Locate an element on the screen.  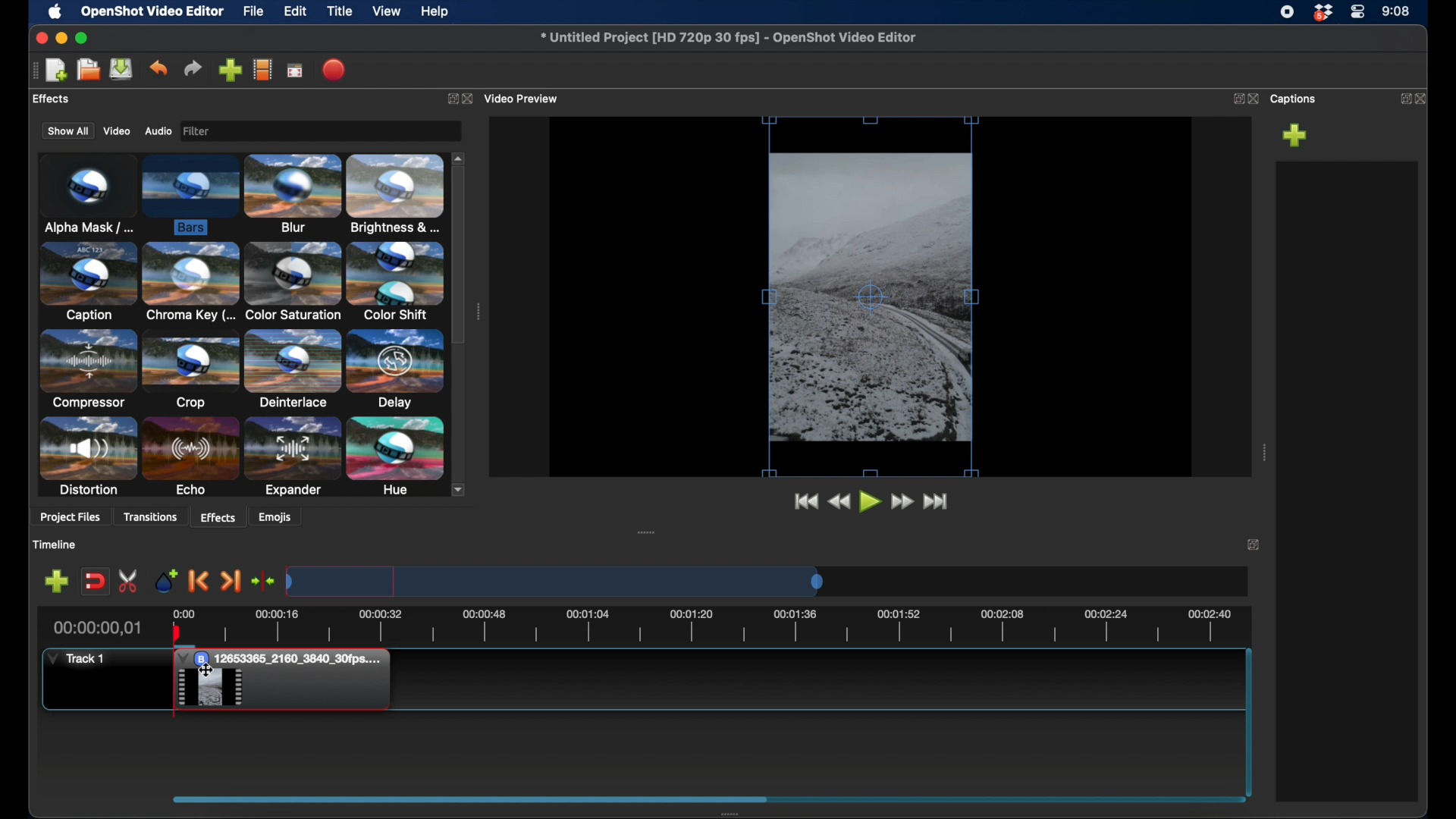
expand is located at coordinates (1235, 99).